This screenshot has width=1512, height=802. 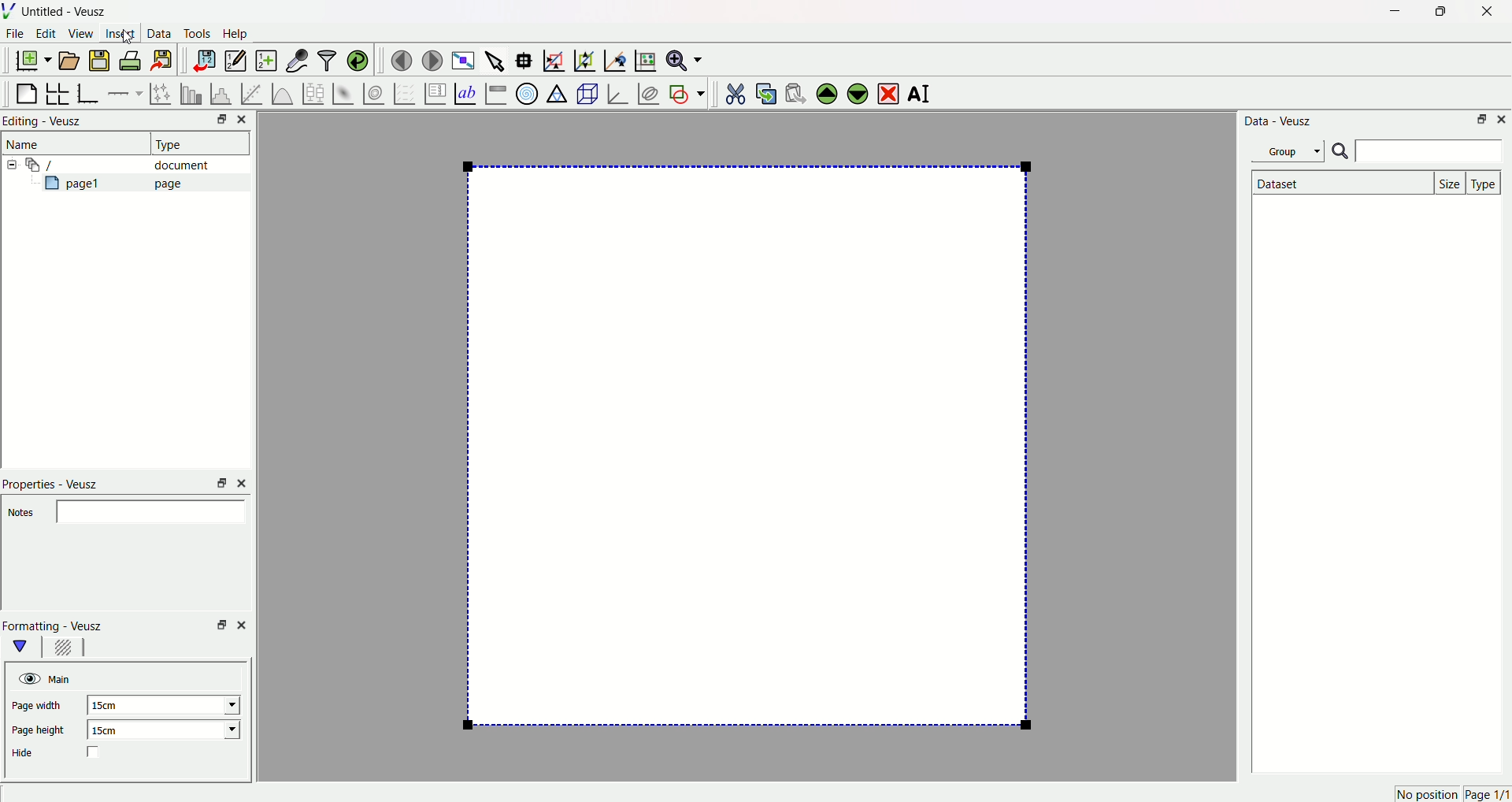 What do you see at coordinates (765, 91) in the screenshot?
I see `copy the widgets` at bounding box center [765, 91].